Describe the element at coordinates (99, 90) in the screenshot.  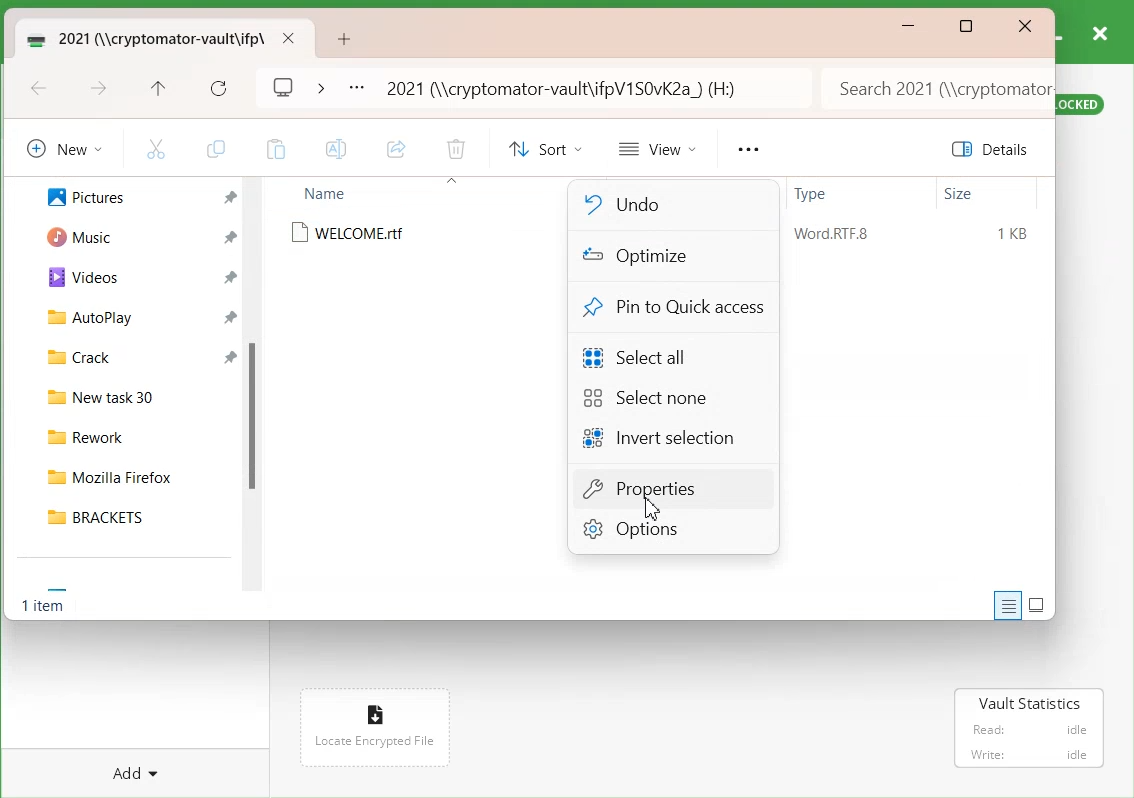
I see `Go forward` at that location.